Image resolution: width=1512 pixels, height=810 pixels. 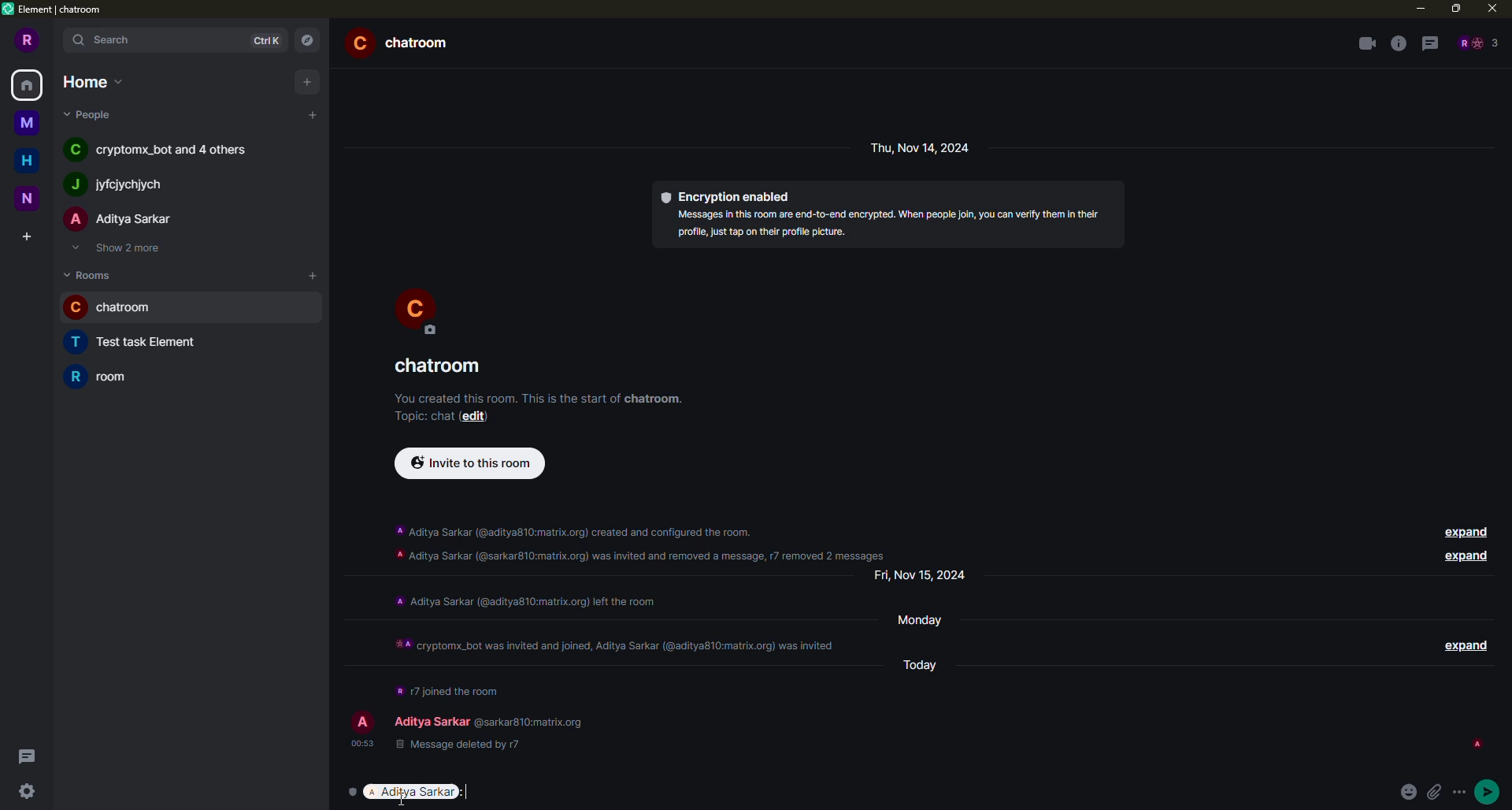 I want to click on navigator, so click(x=307, y=39).